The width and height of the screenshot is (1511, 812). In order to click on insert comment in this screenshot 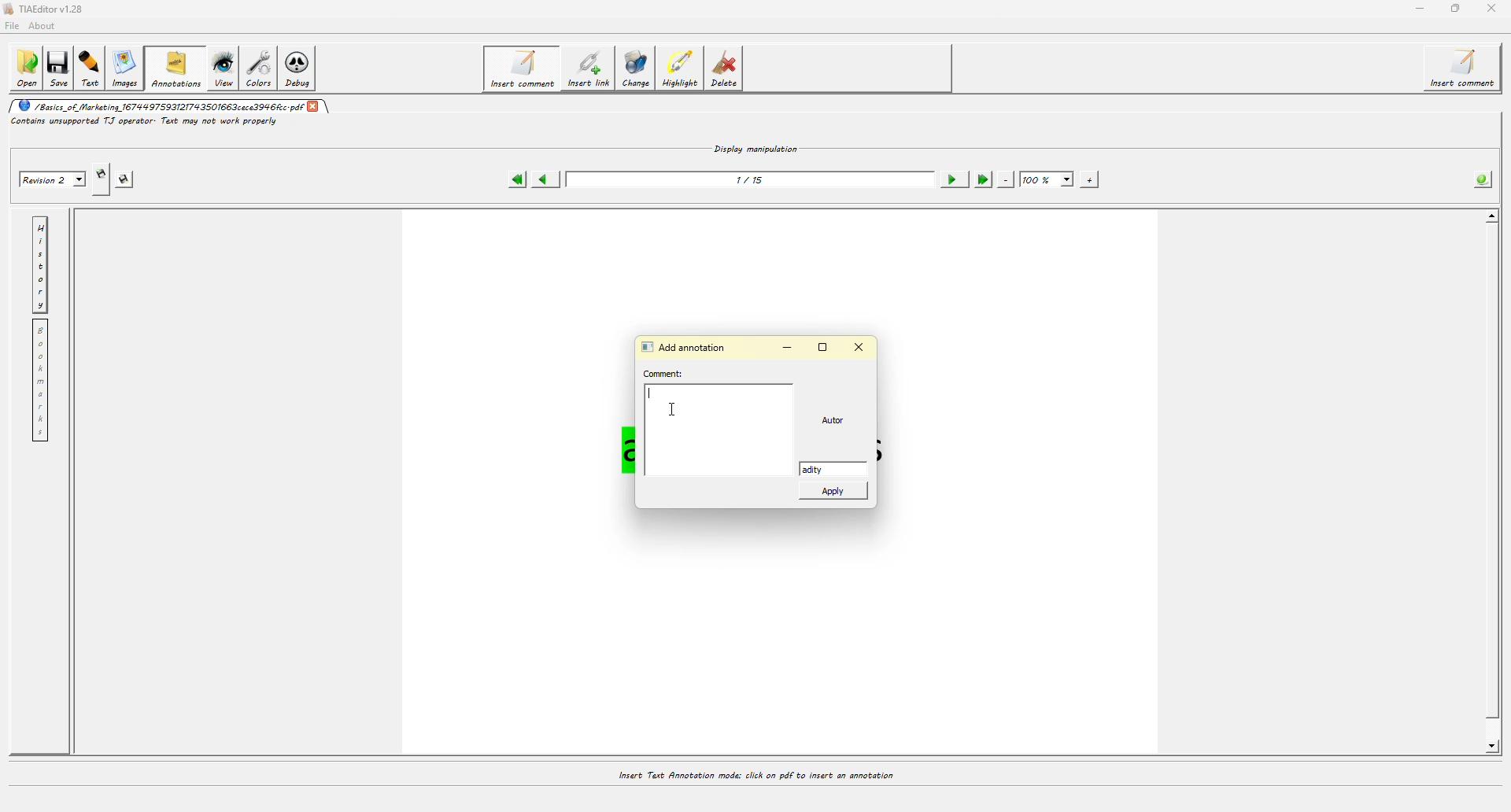, I will do `click(1466, 68)`.